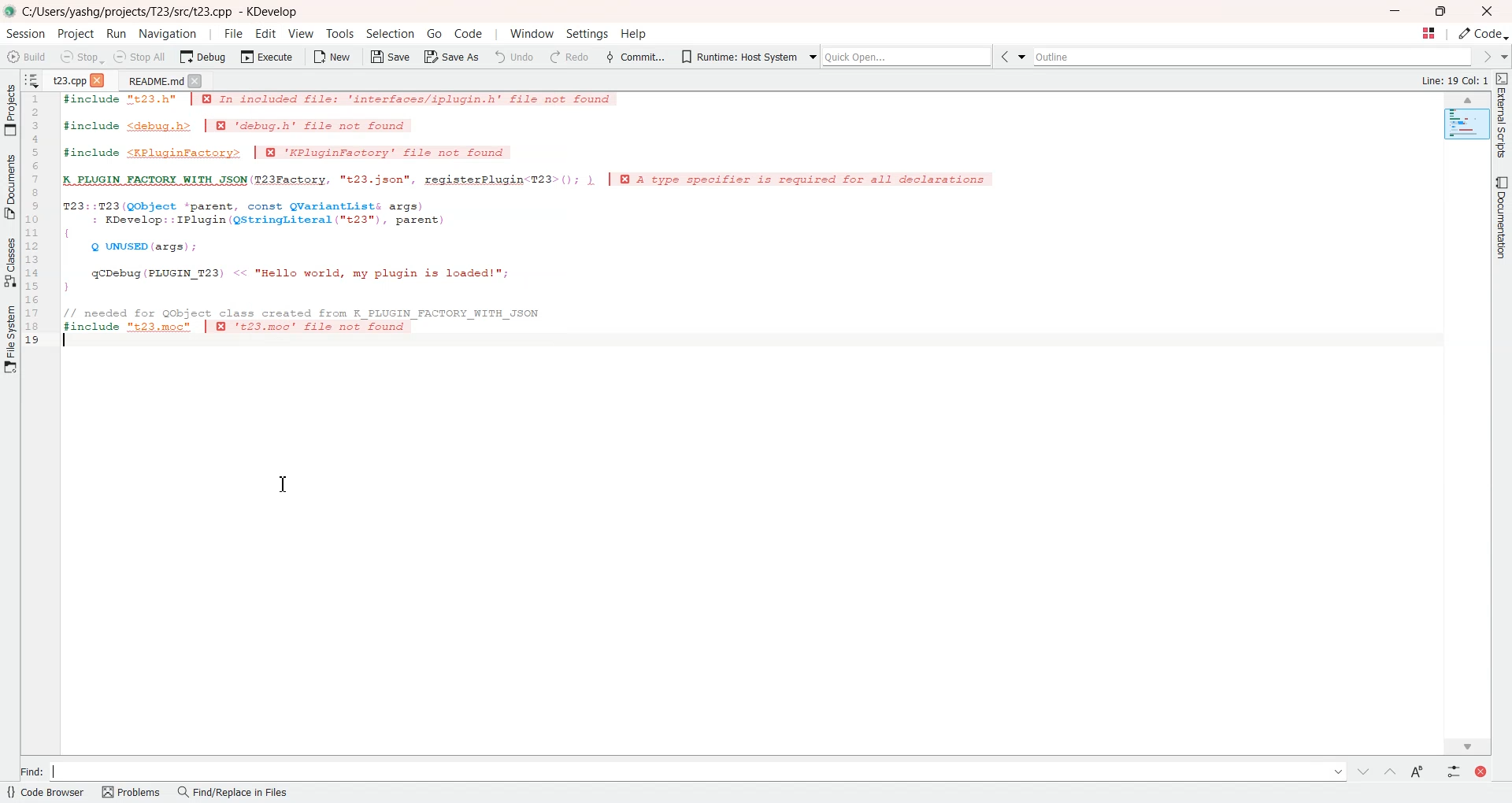 This screenshot has height=803, width=1512. What do you see at coordinates (810, 55) in the screenshot?
I see `Drop down box` at bounding box center [810, 55].